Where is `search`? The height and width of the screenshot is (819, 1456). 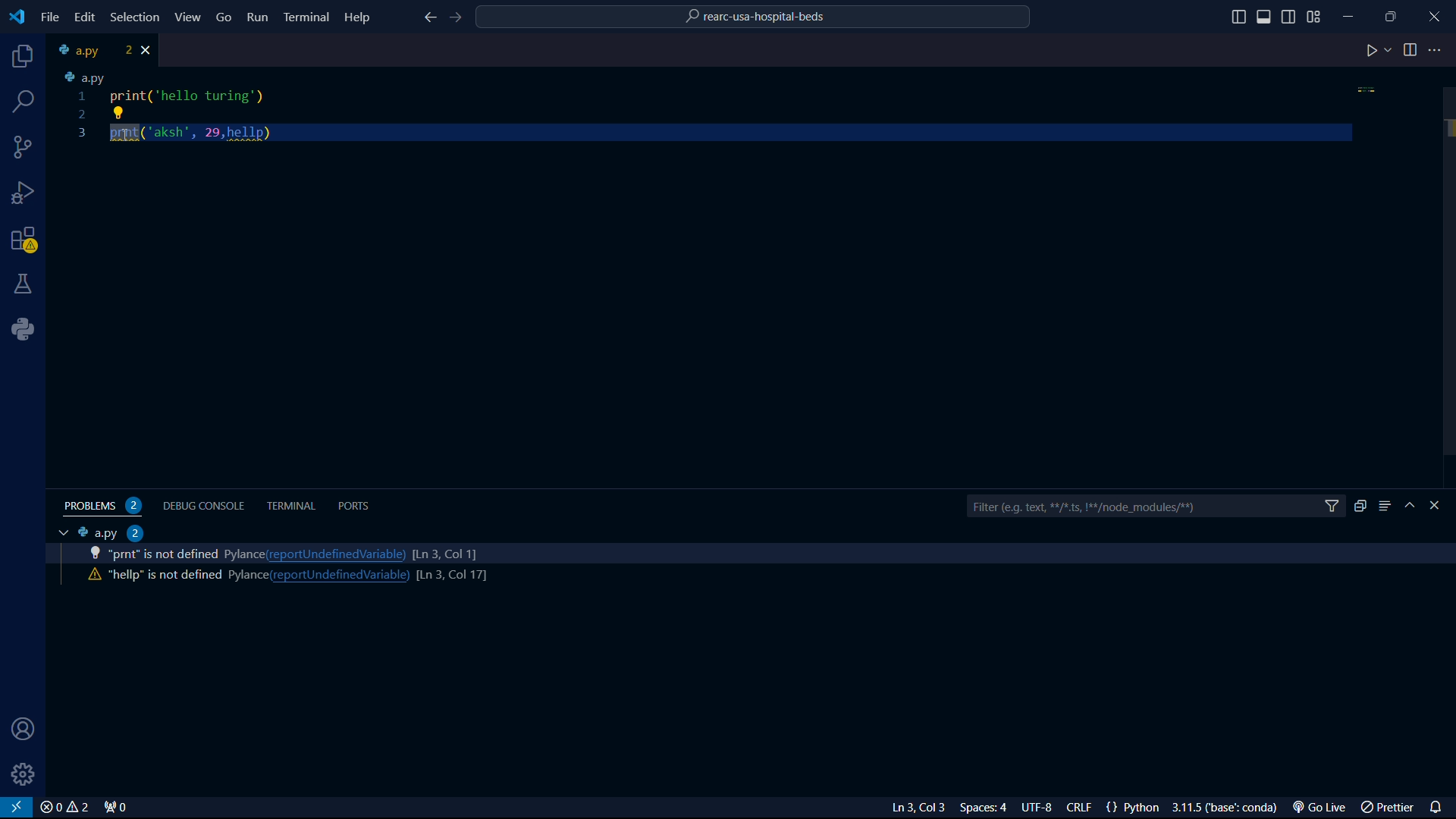 search is located at coordinates (25, 102).